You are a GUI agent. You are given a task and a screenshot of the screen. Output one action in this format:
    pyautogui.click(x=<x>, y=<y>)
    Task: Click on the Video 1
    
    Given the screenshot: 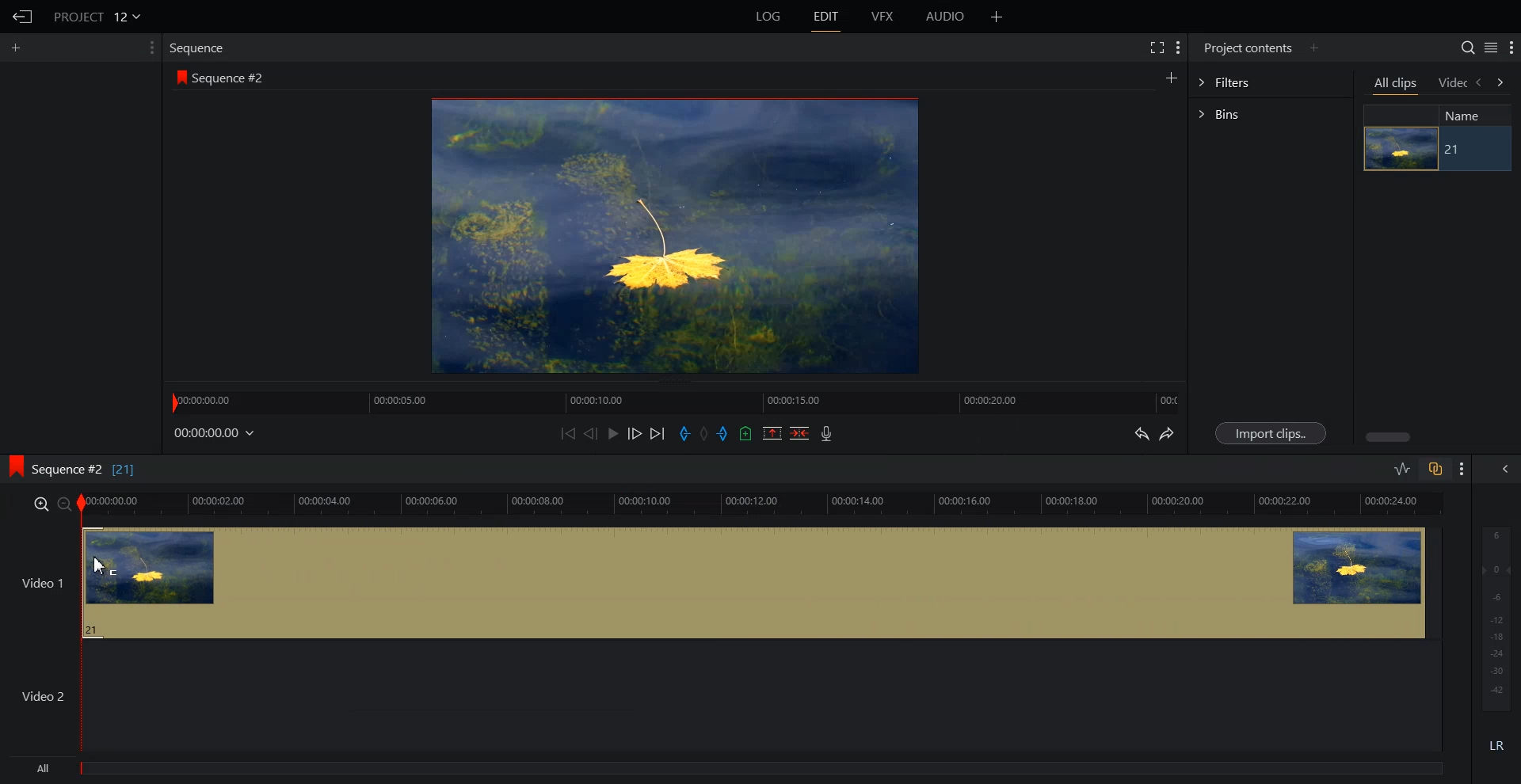 What is the action you would take?
    pyautogui.click(x=723, y=583)
    